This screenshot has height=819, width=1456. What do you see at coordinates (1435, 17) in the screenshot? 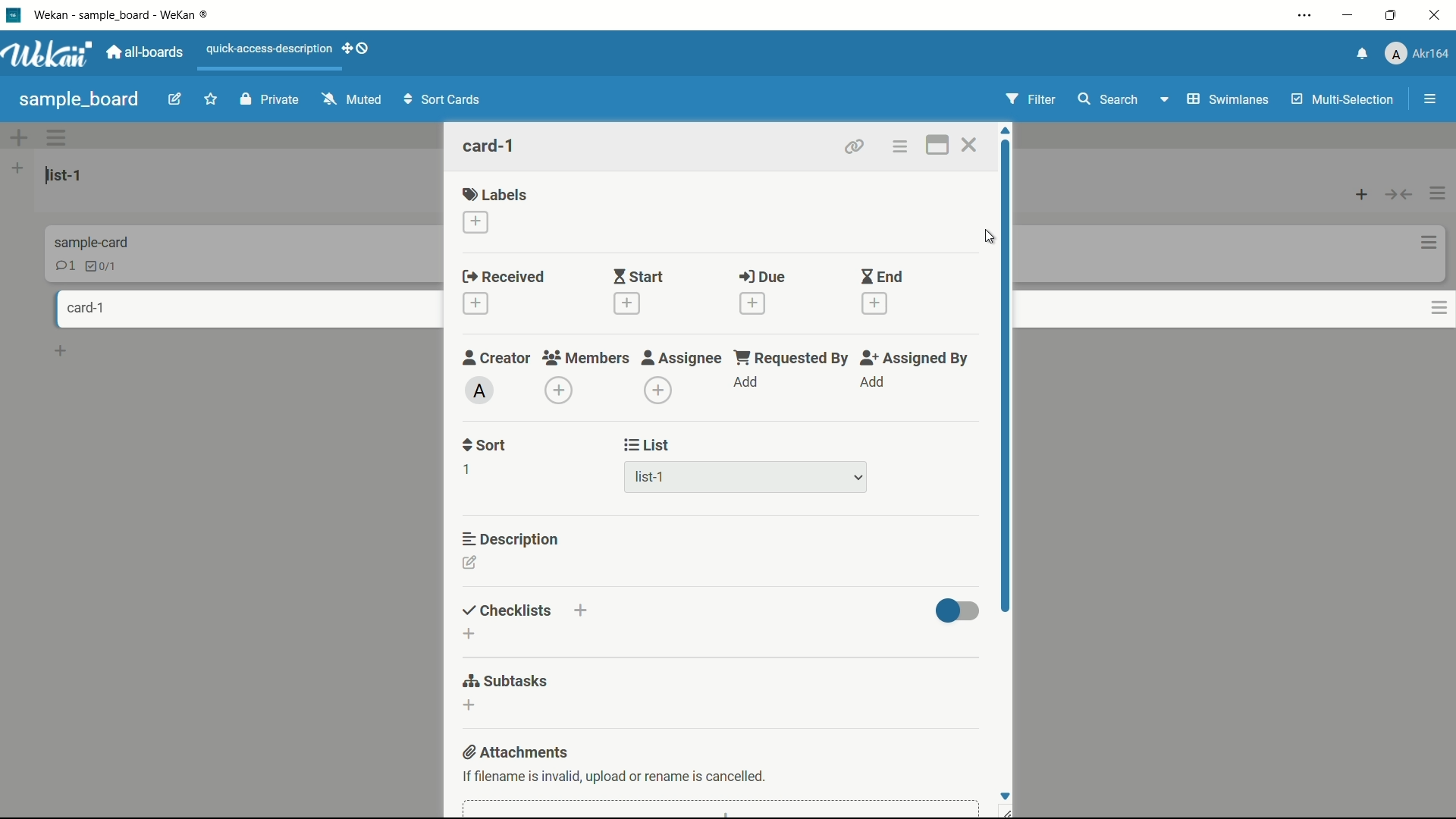
I see `close app` at bounding box center [1435, 17].